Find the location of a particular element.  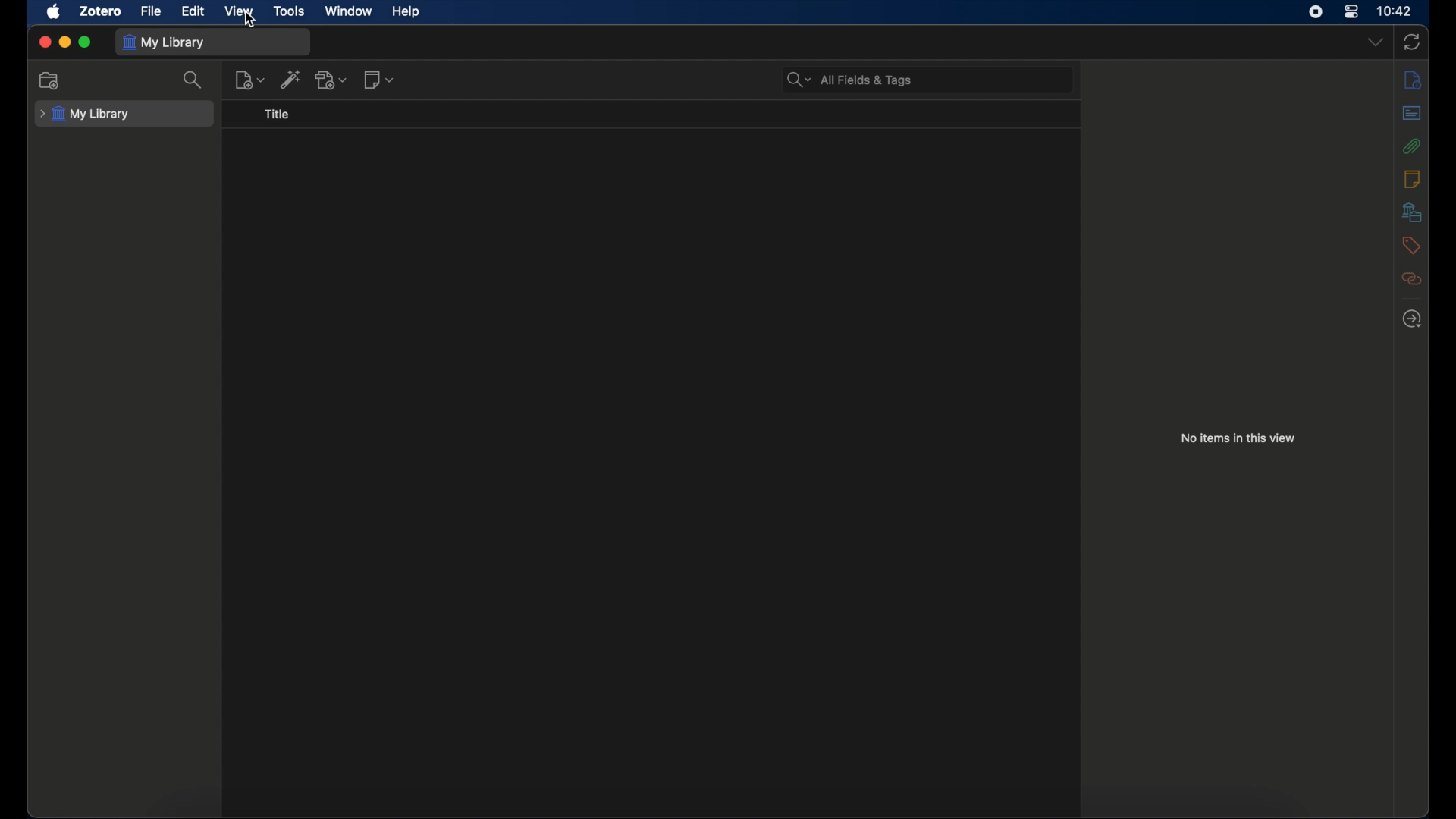

time is located at coordinates (1395, 11).